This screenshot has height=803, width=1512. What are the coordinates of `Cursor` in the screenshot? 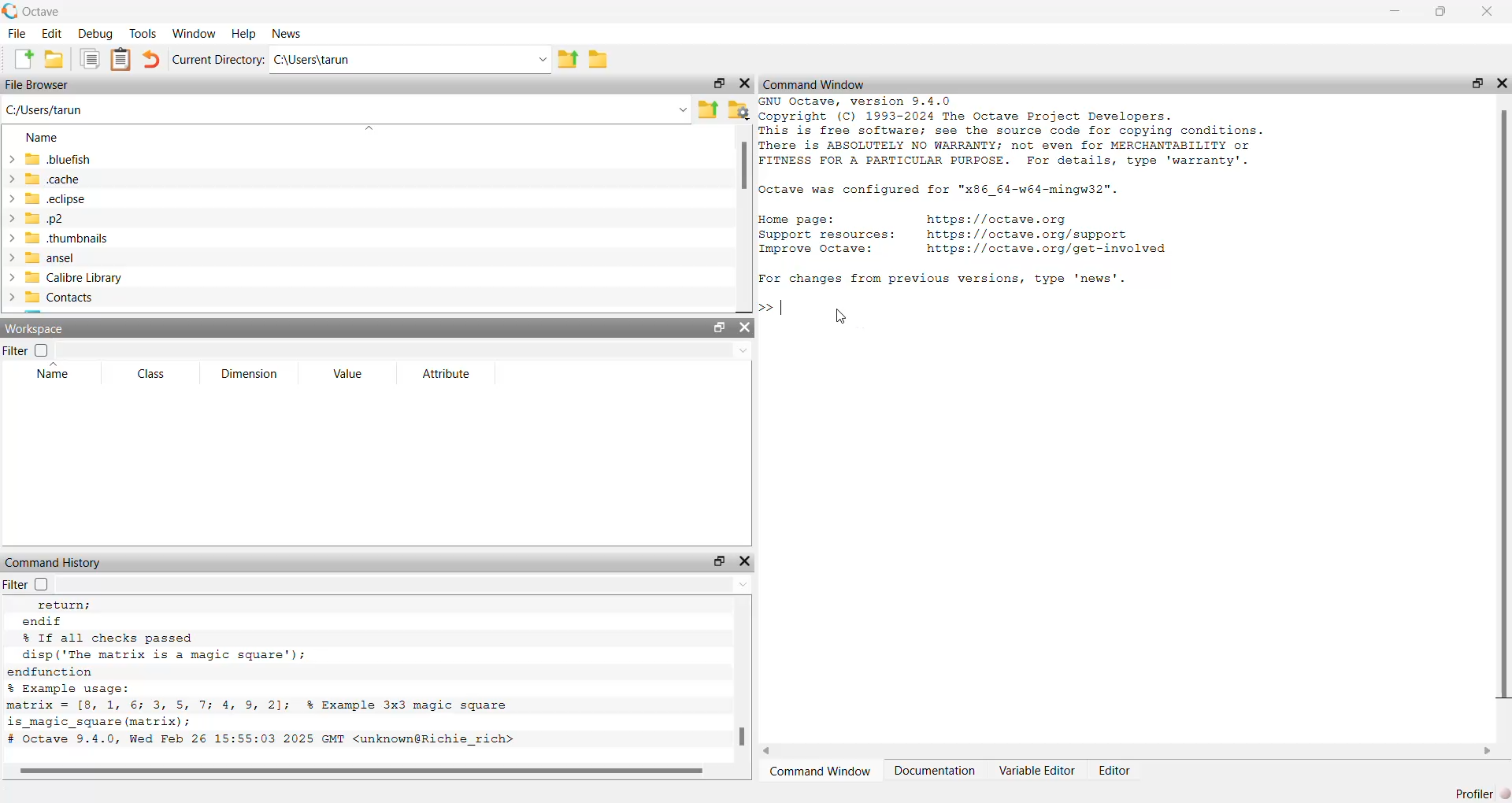 It's located at (841, 316).